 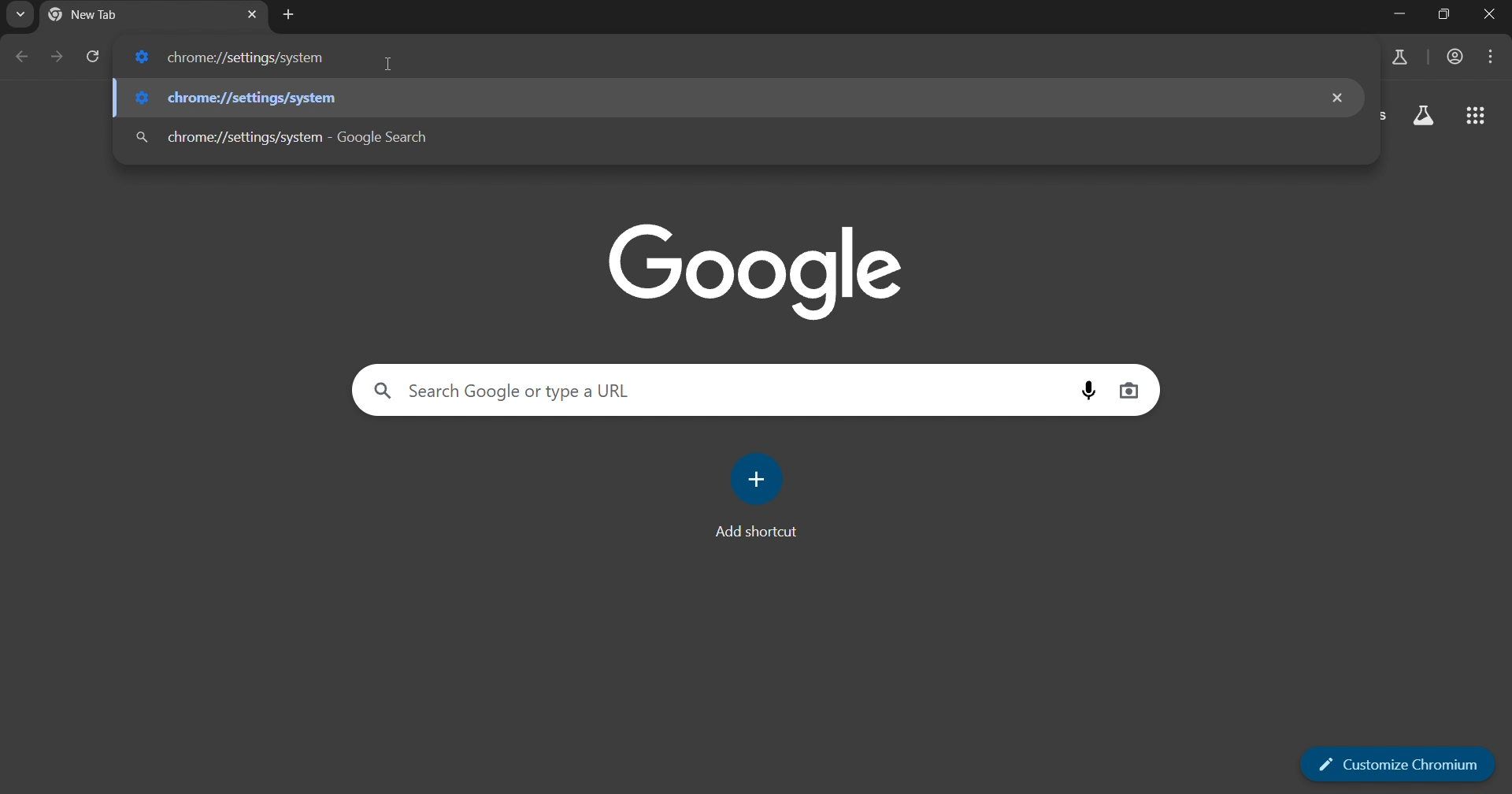 What do you see at coordinates (24, 58) in the screenshot?
I see `go back one page` at bounding box center [24, 58].